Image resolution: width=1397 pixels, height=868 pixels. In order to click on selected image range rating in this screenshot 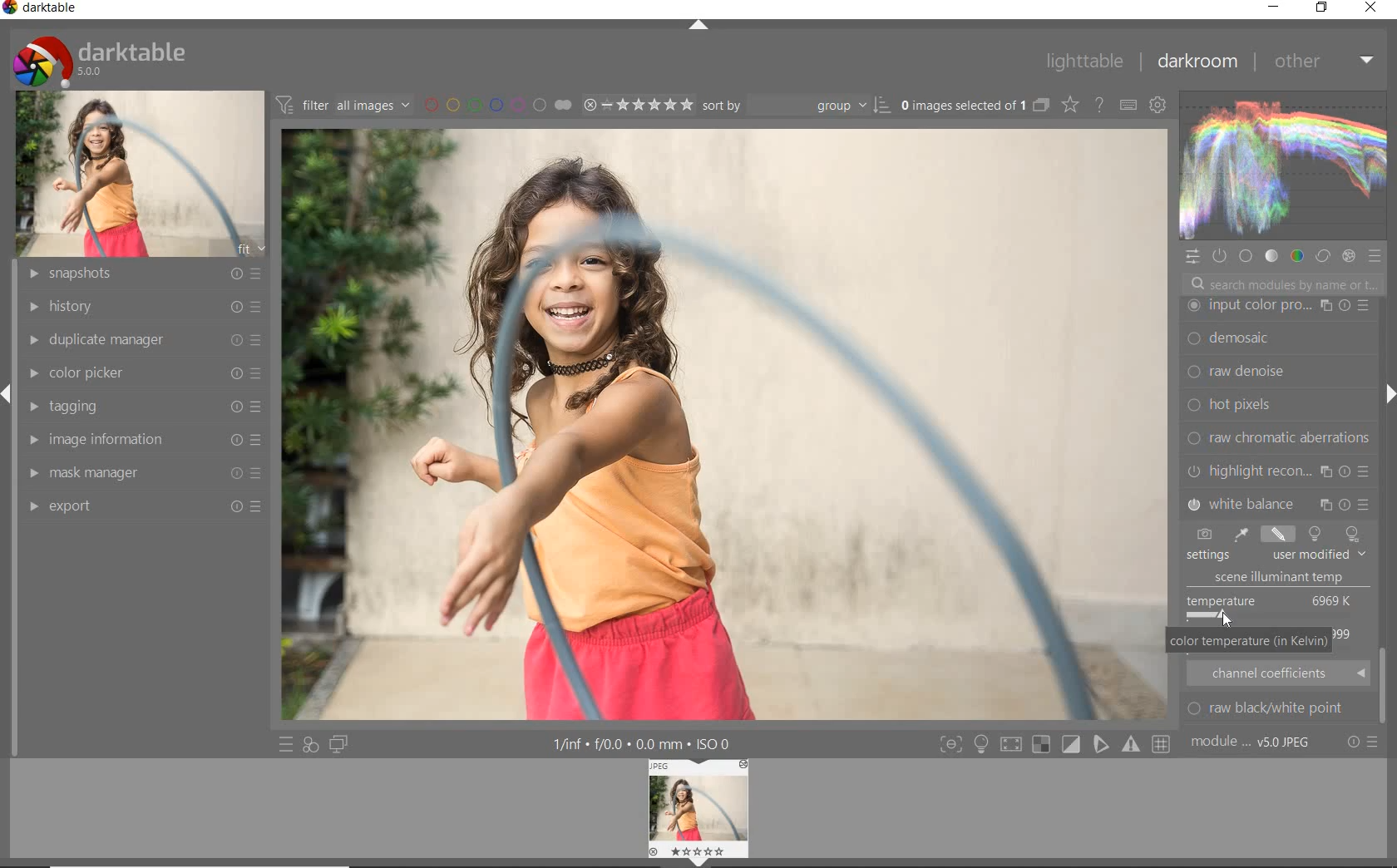, I will do `click(637, 103)`.